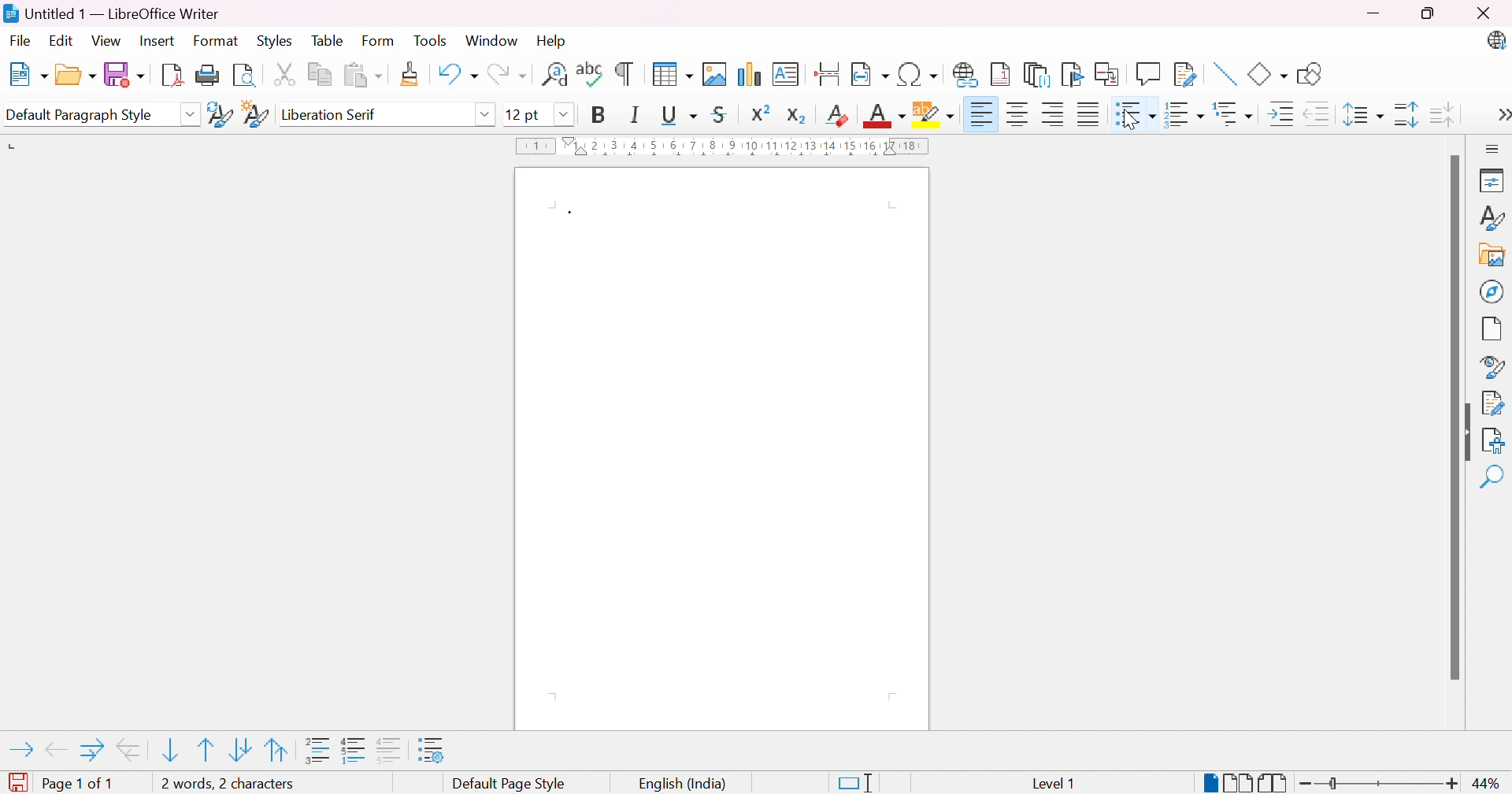  What do you see at coordinates (1407, 116) in the screenshot?
I see `Increase paragraph spacing` at bounding box center [1407, 116].